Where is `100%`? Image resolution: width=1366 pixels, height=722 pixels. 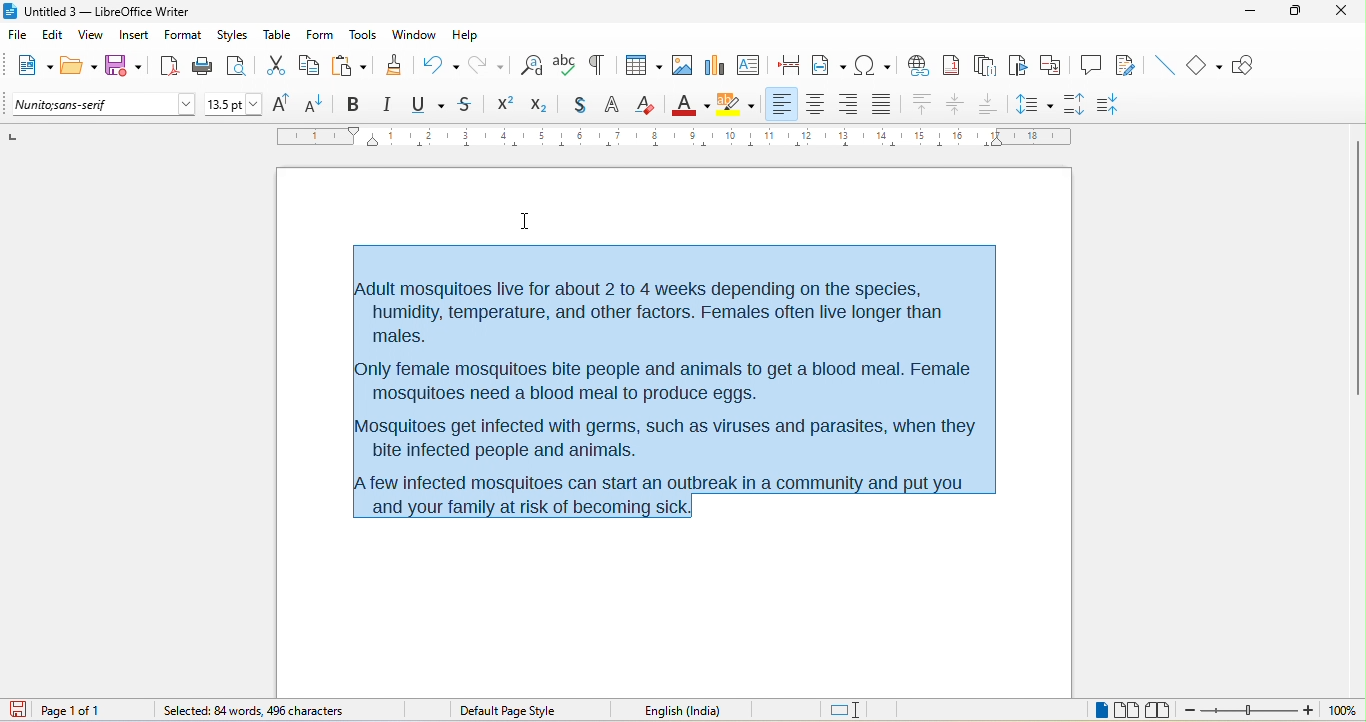 100% is located at coordinates (1342, 711).